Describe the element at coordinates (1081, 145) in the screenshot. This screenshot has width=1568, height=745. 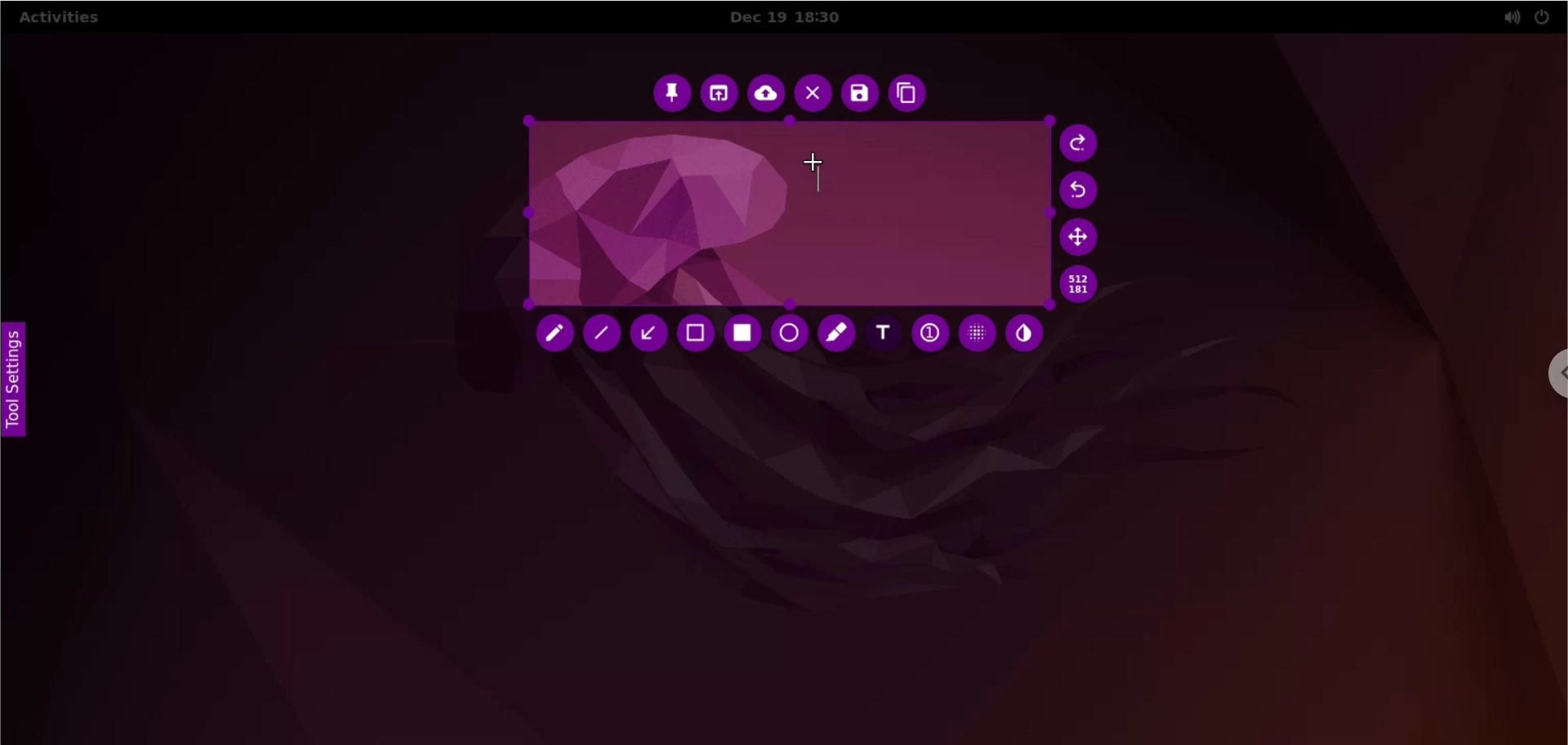
I see `redo` at that location.